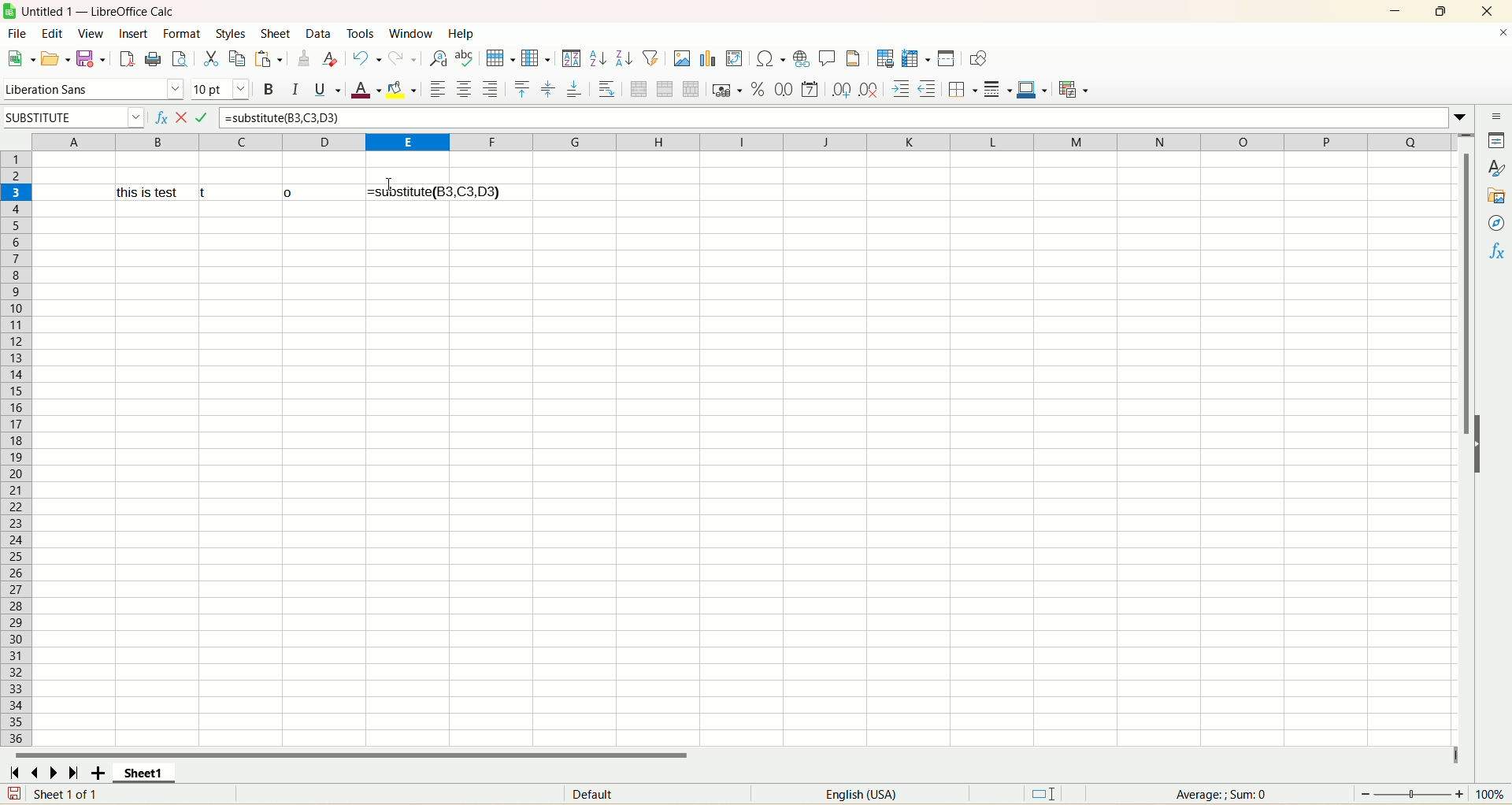 This screenshot has height=805, width=1512. I want to click on align left, so click(440, 89).